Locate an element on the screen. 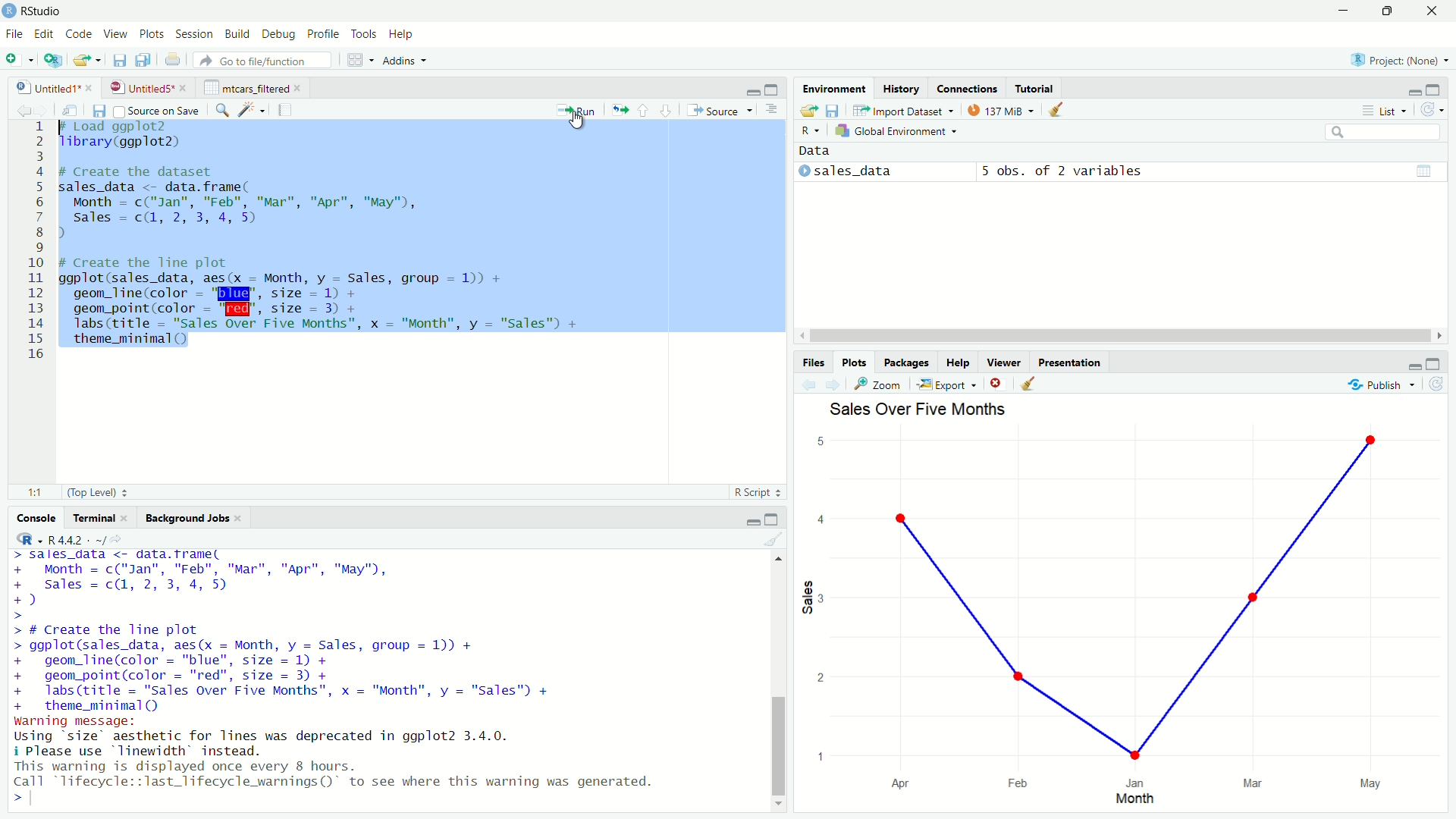 Image resolution: width=1456 pixels, height=819 pixels. Terminal is located at coordinates (95, 517).